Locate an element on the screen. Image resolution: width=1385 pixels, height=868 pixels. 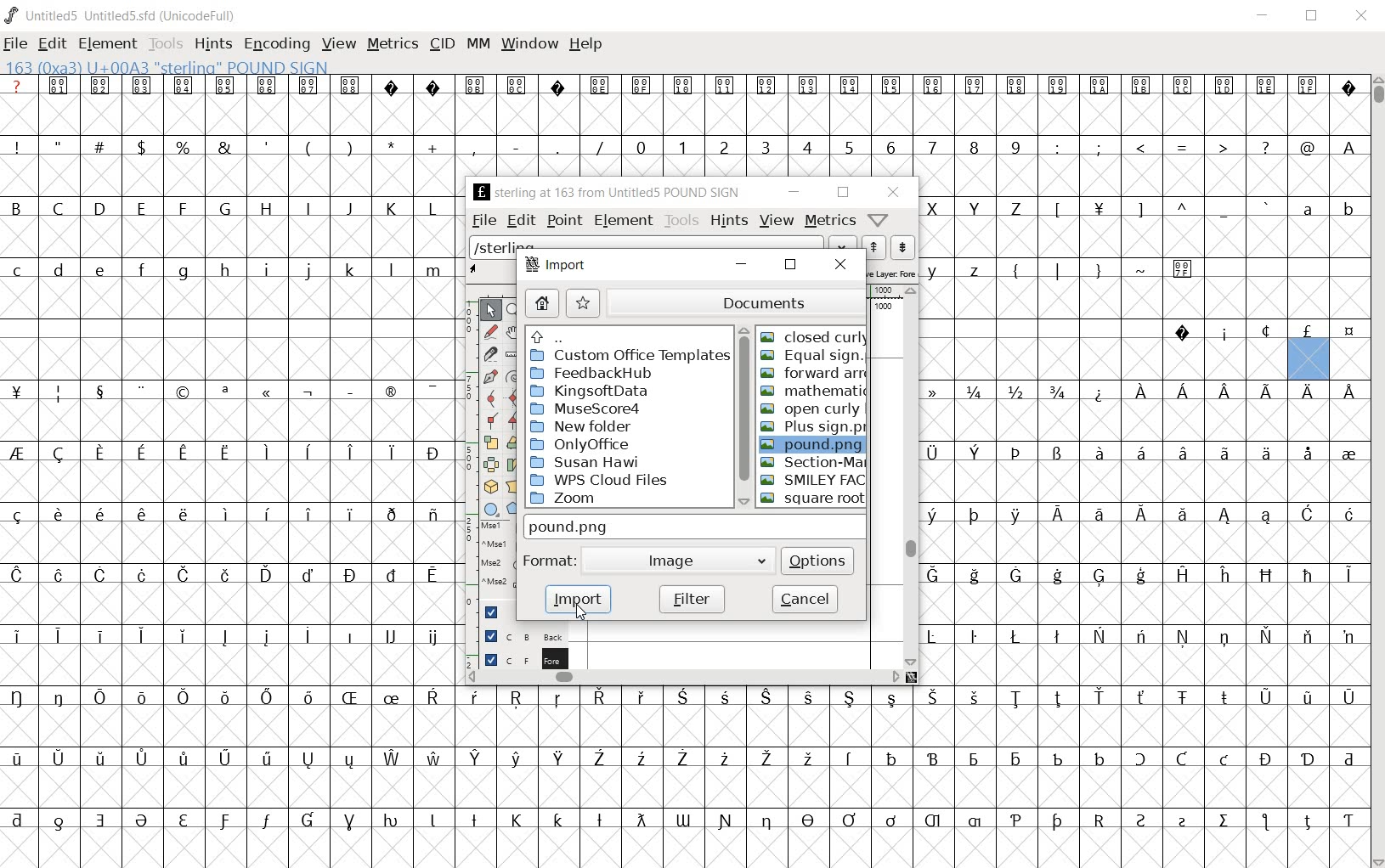
selected file is located at coordinates (814, 444).